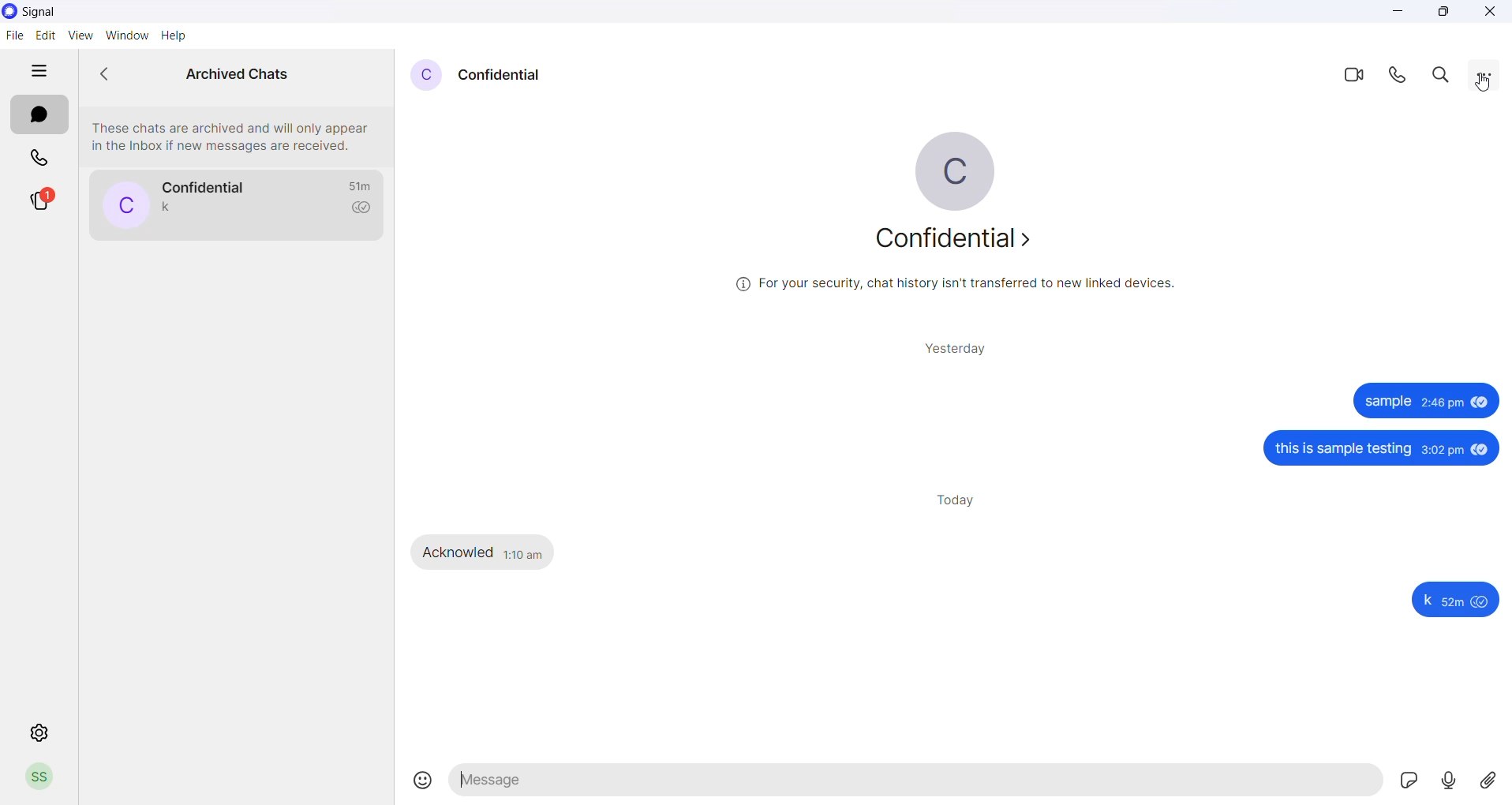  I want to click on video call, so click(1355, 75).